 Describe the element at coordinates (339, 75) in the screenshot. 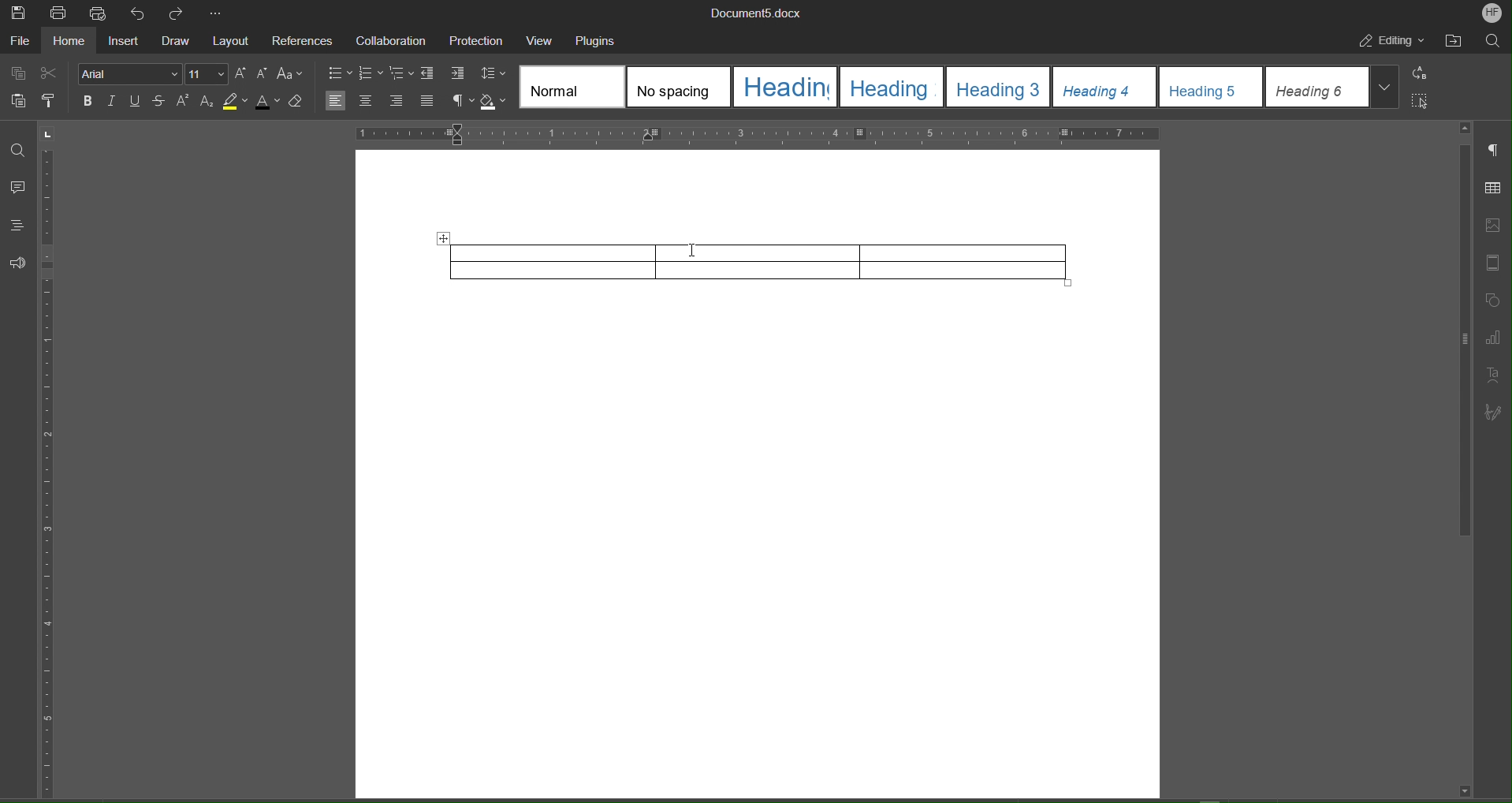

I see `bullets` at that location.